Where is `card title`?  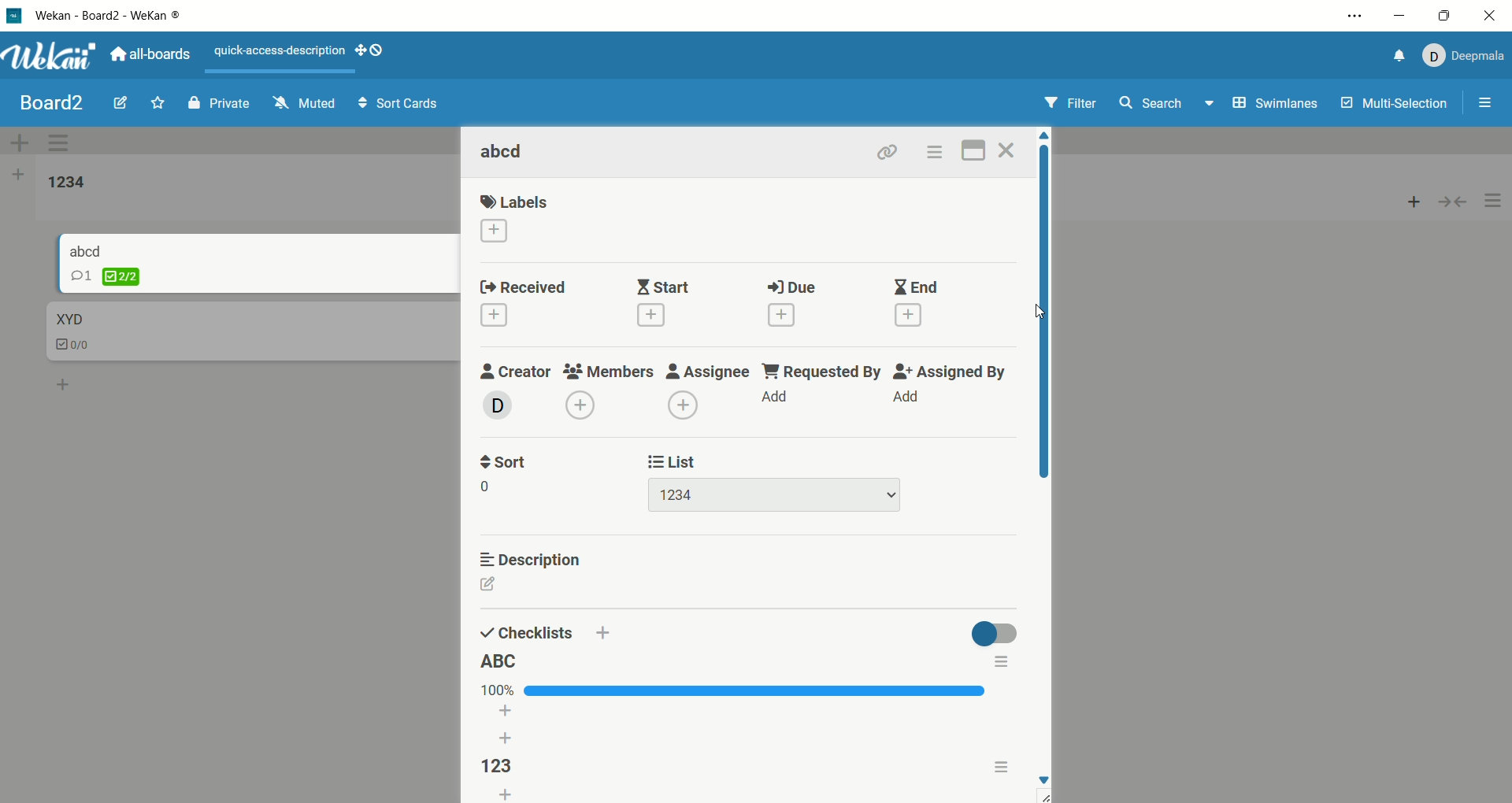 card title is located at coordinates (504, 153).